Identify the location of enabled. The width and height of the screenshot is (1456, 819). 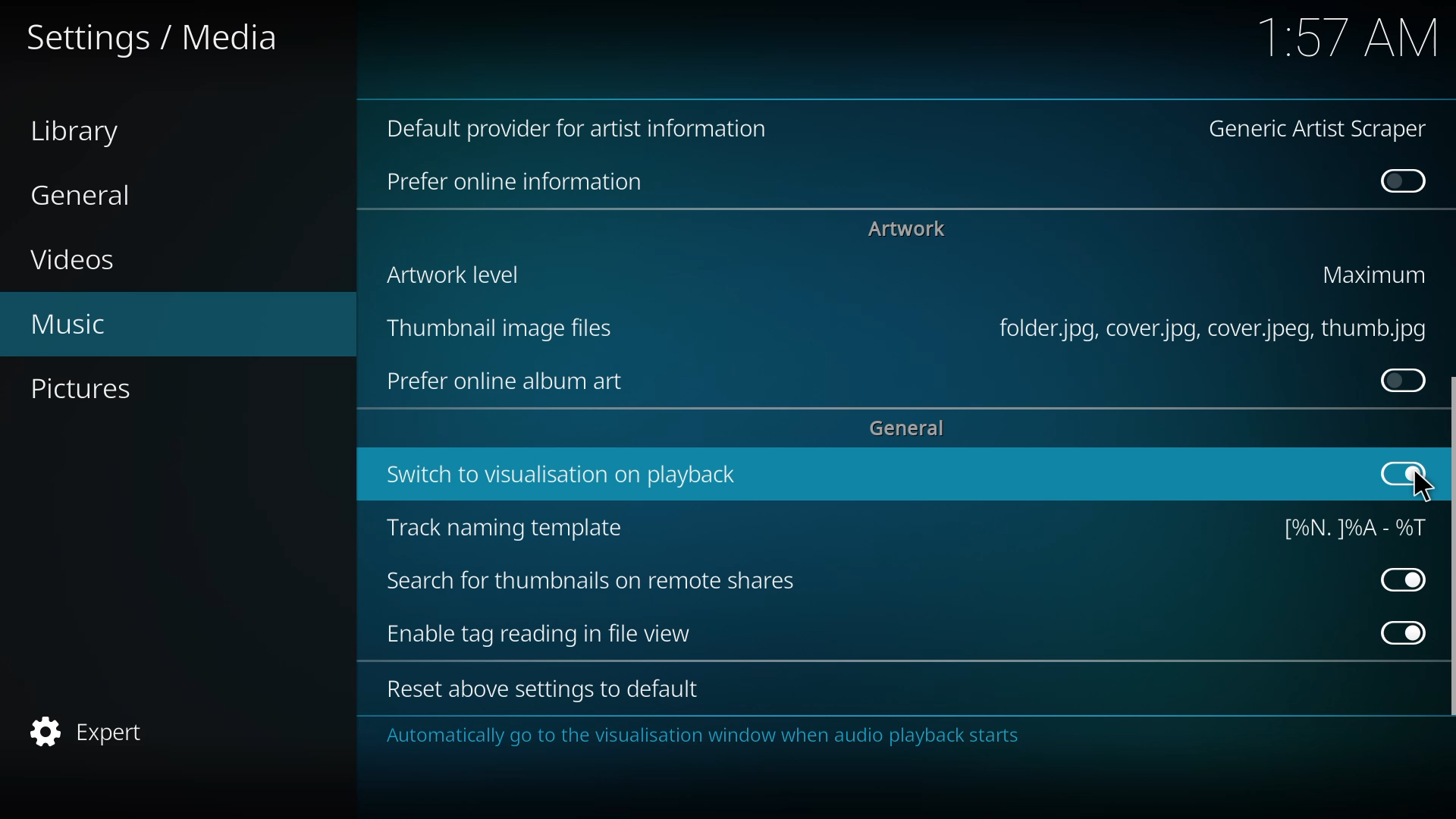
(1399, 472).